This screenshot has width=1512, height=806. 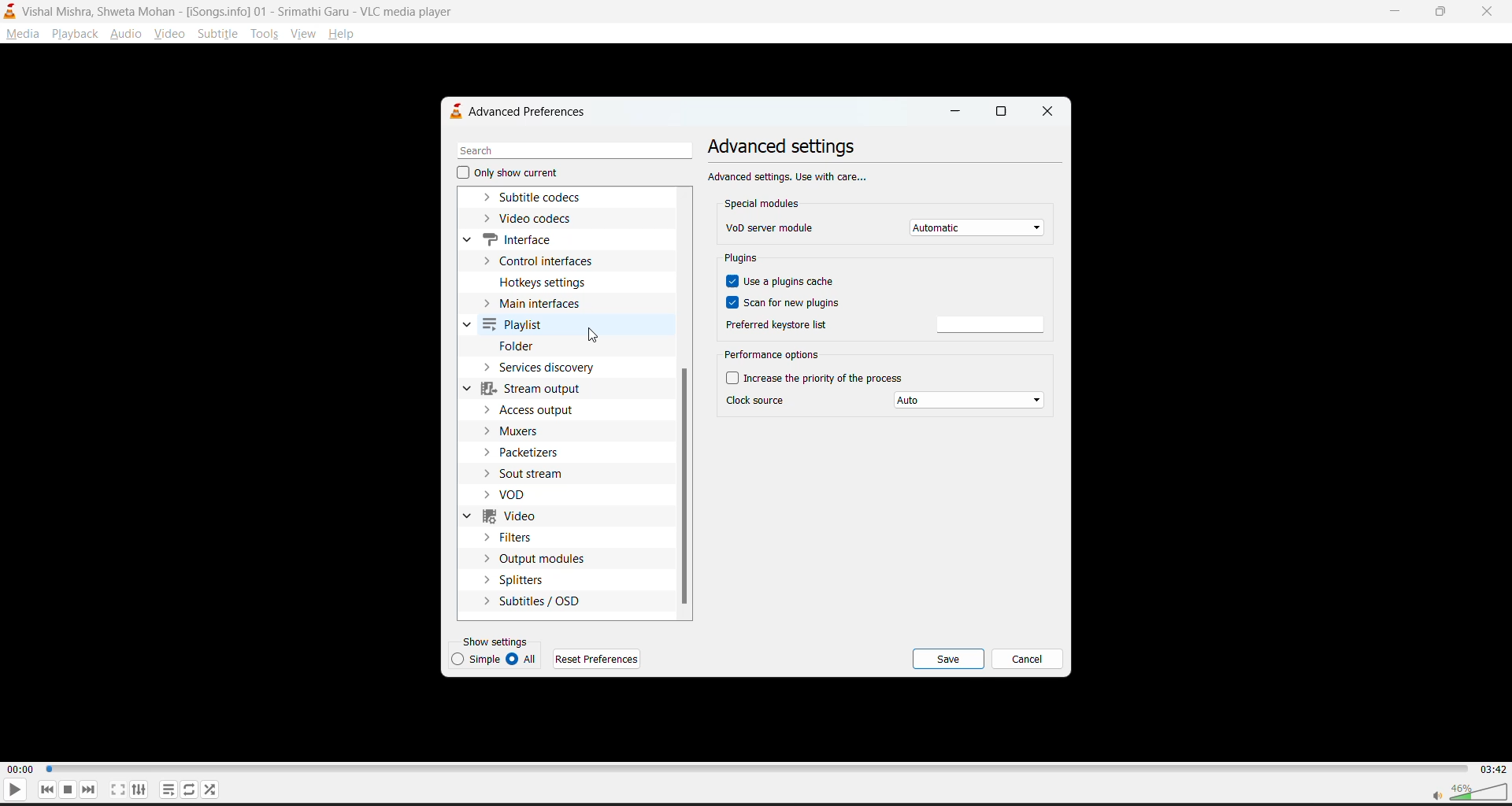 What do you see at coordinates (20, 32) in the screenshot?
I see `media` at bounding box center [20, 32].